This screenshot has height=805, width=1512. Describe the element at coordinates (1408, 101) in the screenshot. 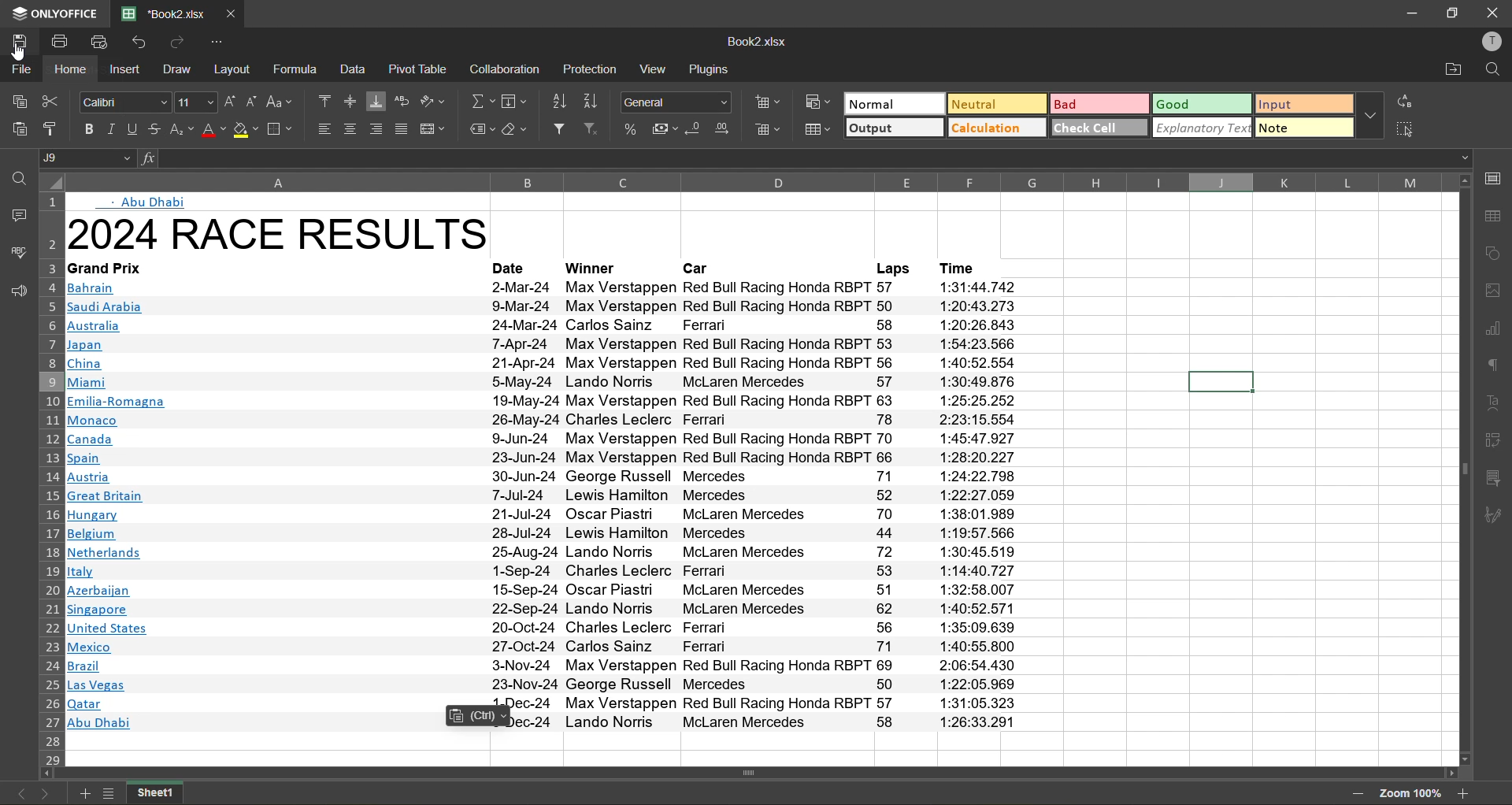

I see `replace` at that location.